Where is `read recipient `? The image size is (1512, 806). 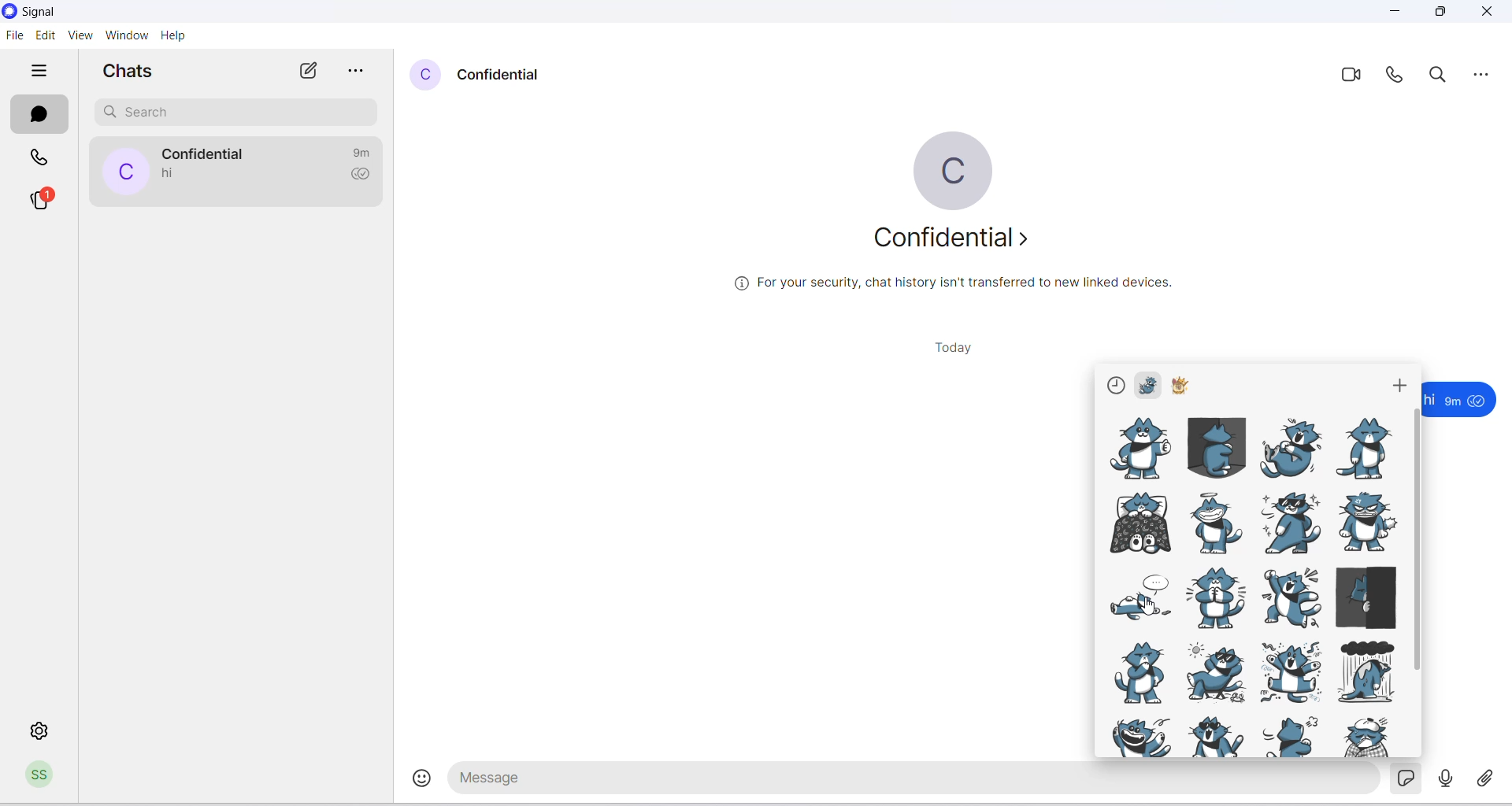
read recipient  is located at coordinates (365, 177).